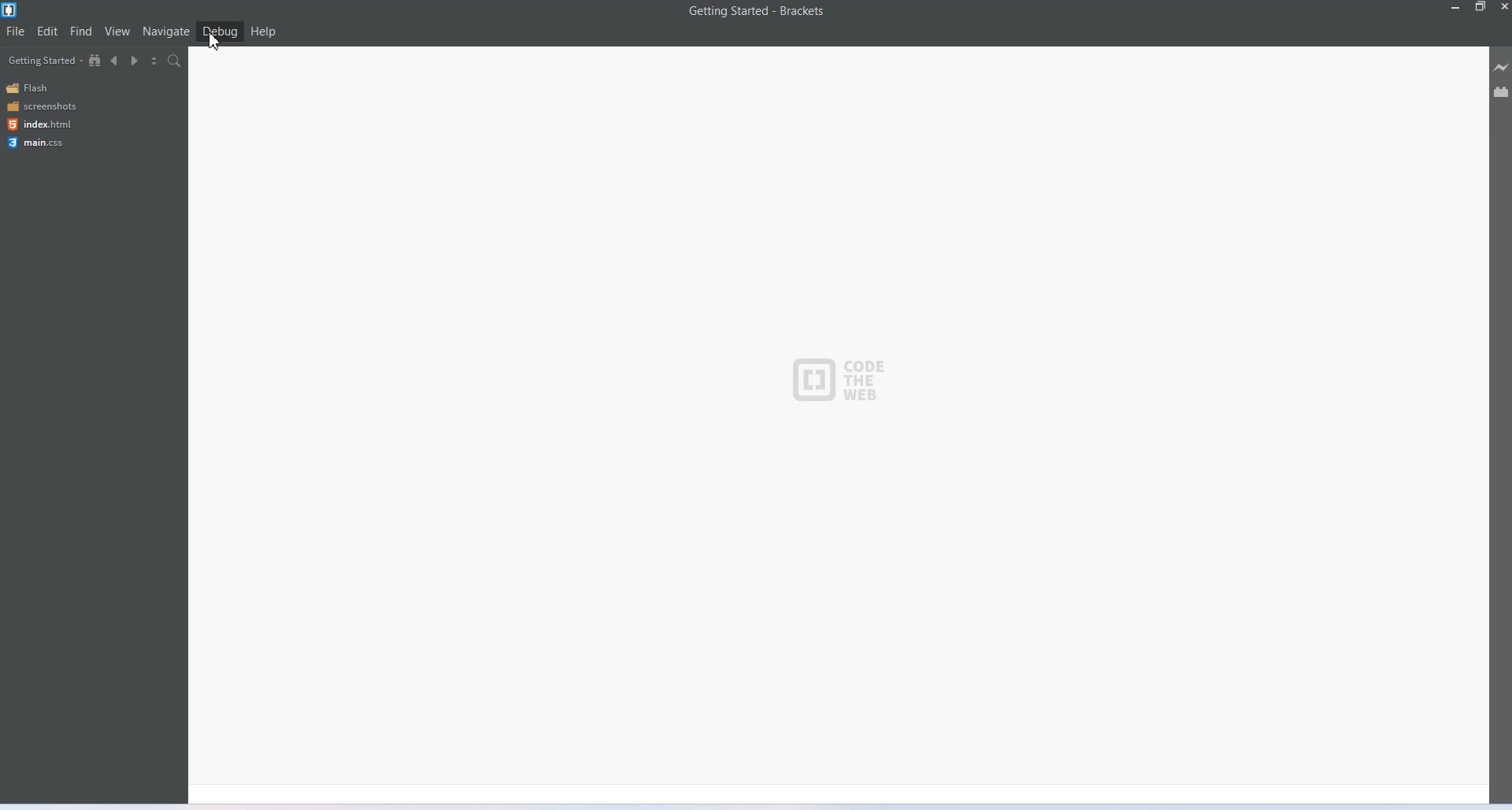 The height and width of the screenshot is (810, 1512). I want to click on Extension manager, so click(1501, 91).